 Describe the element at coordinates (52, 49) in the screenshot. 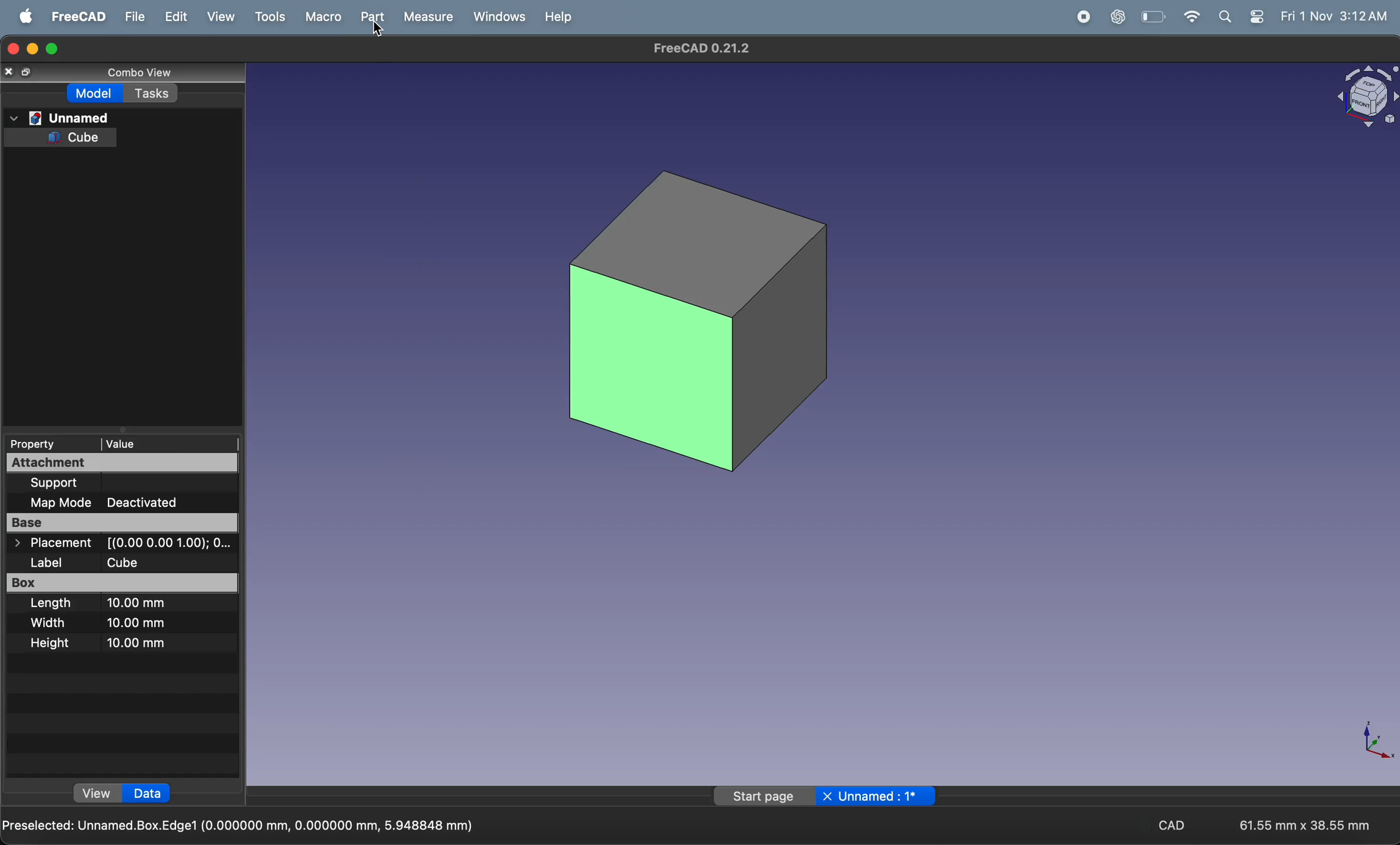

I see `maximize` at that location.